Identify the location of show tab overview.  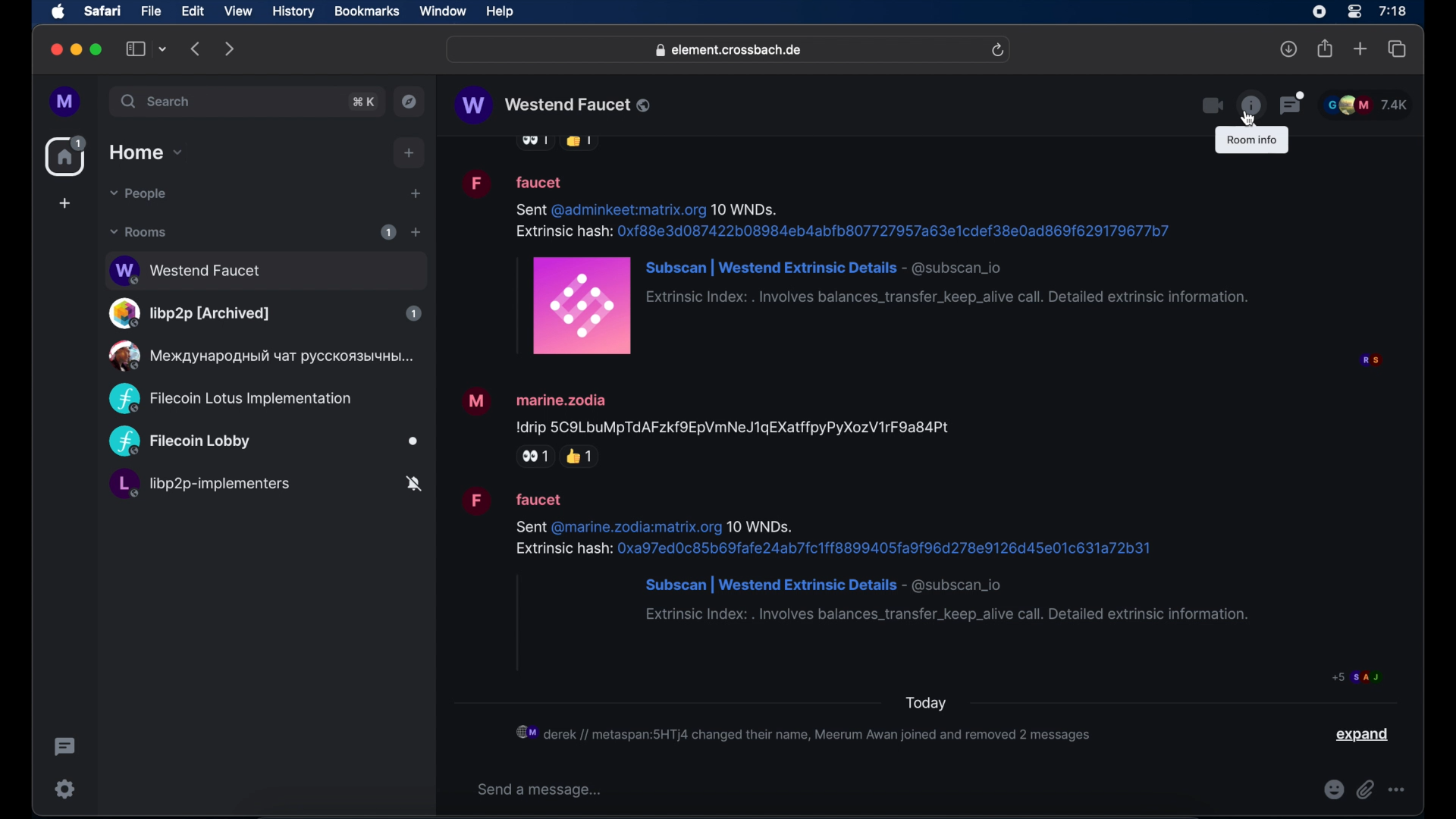
(1398, 49).